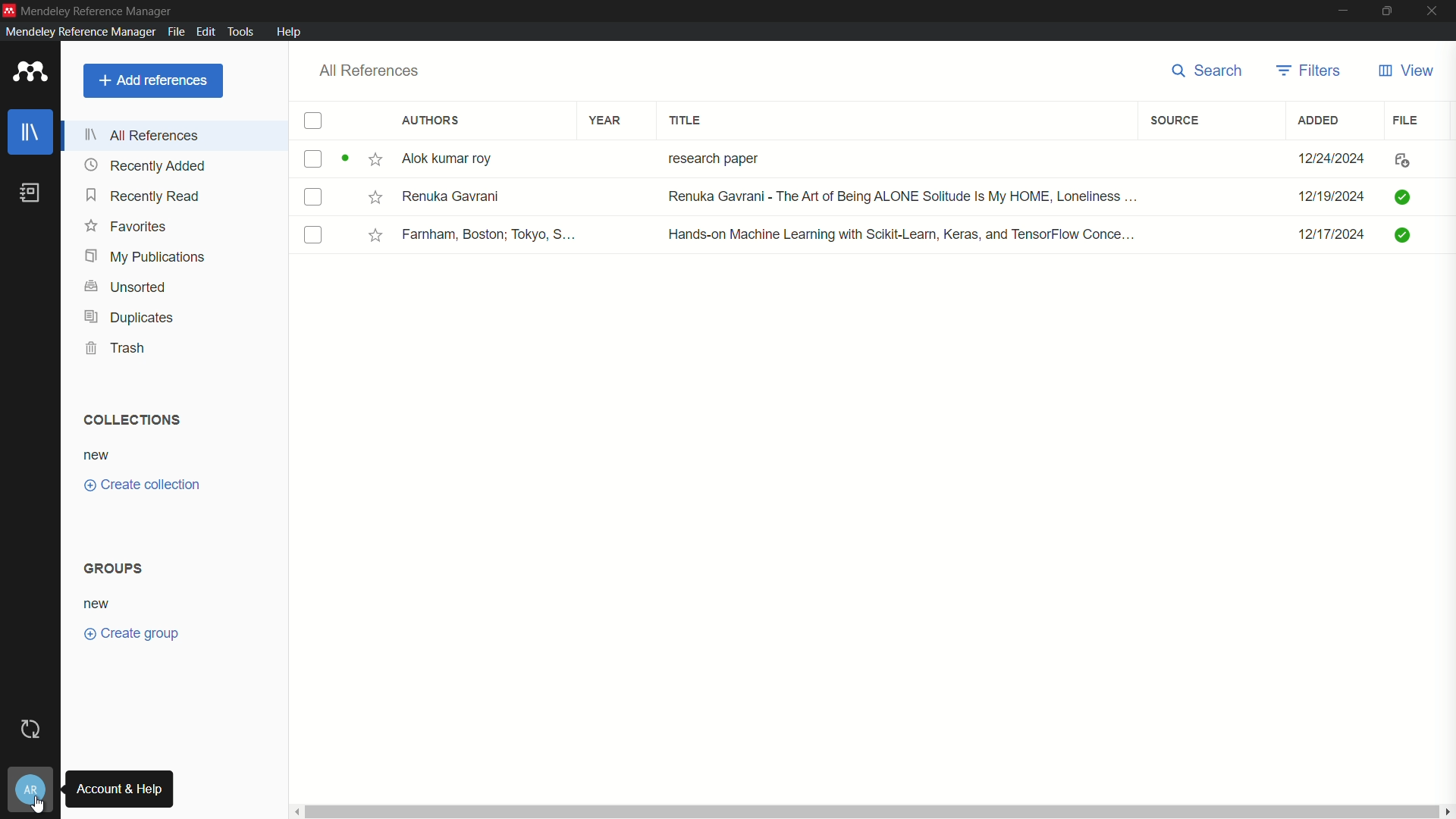 This screenshot has width=1456, height=819. I want to click on check, so click(313, 236).